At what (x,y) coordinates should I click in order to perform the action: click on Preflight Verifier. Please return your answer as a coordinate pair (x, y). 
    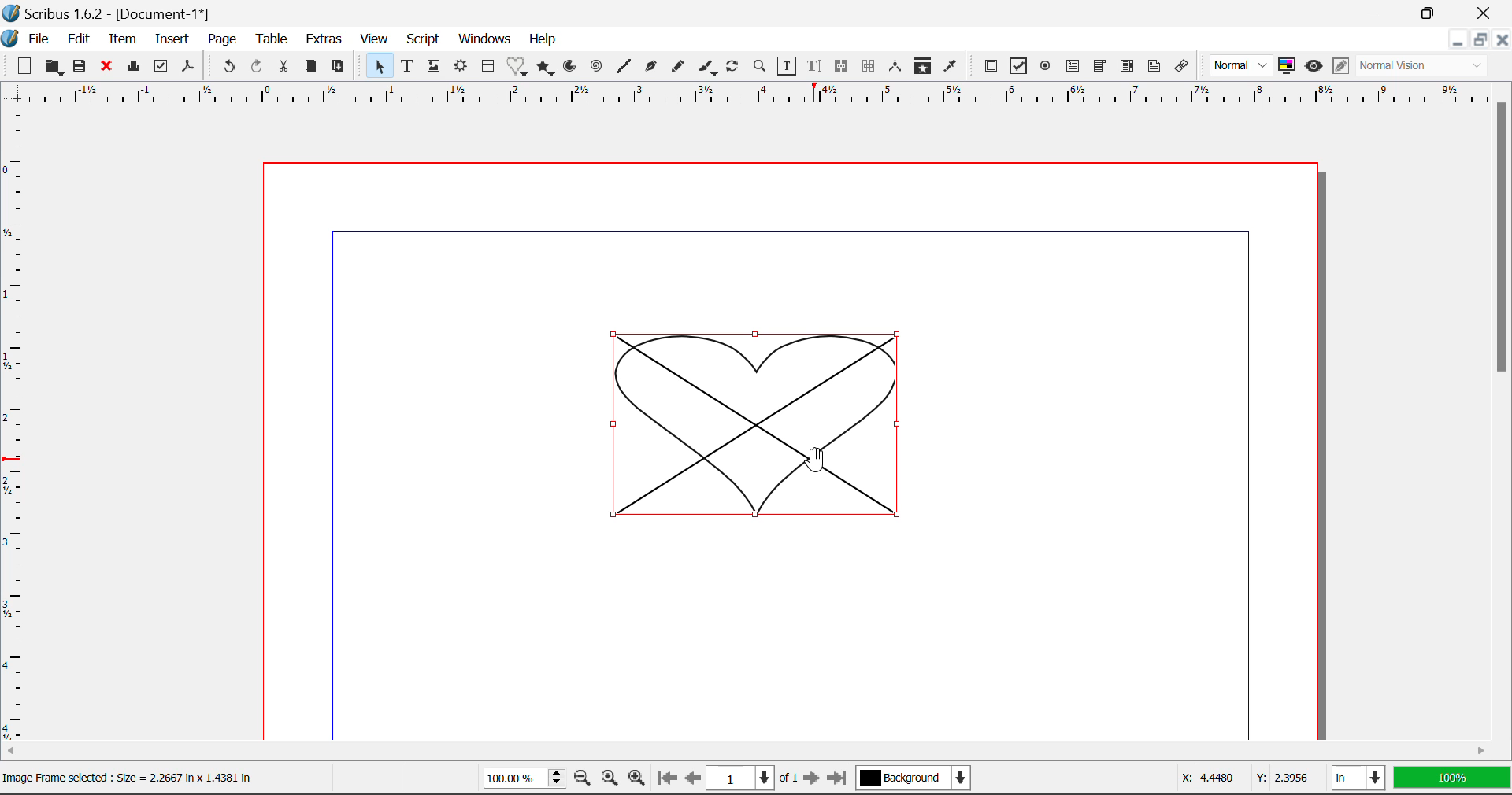
    Looking at the image, I should click on (162, 70).